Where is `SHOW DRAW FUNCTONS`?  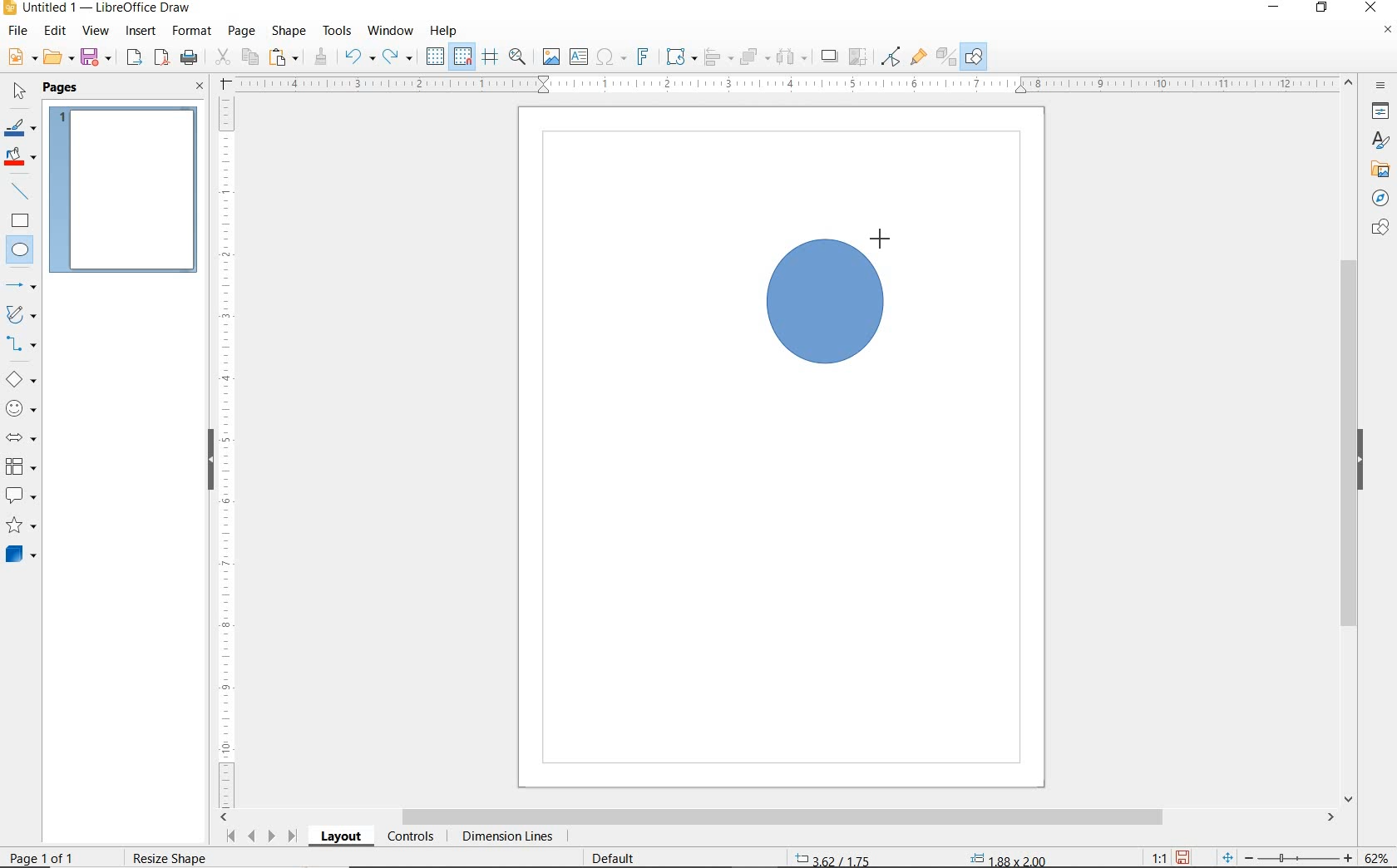
SHOW DRAW FUNCTONS is located at coordinates (974, 57).